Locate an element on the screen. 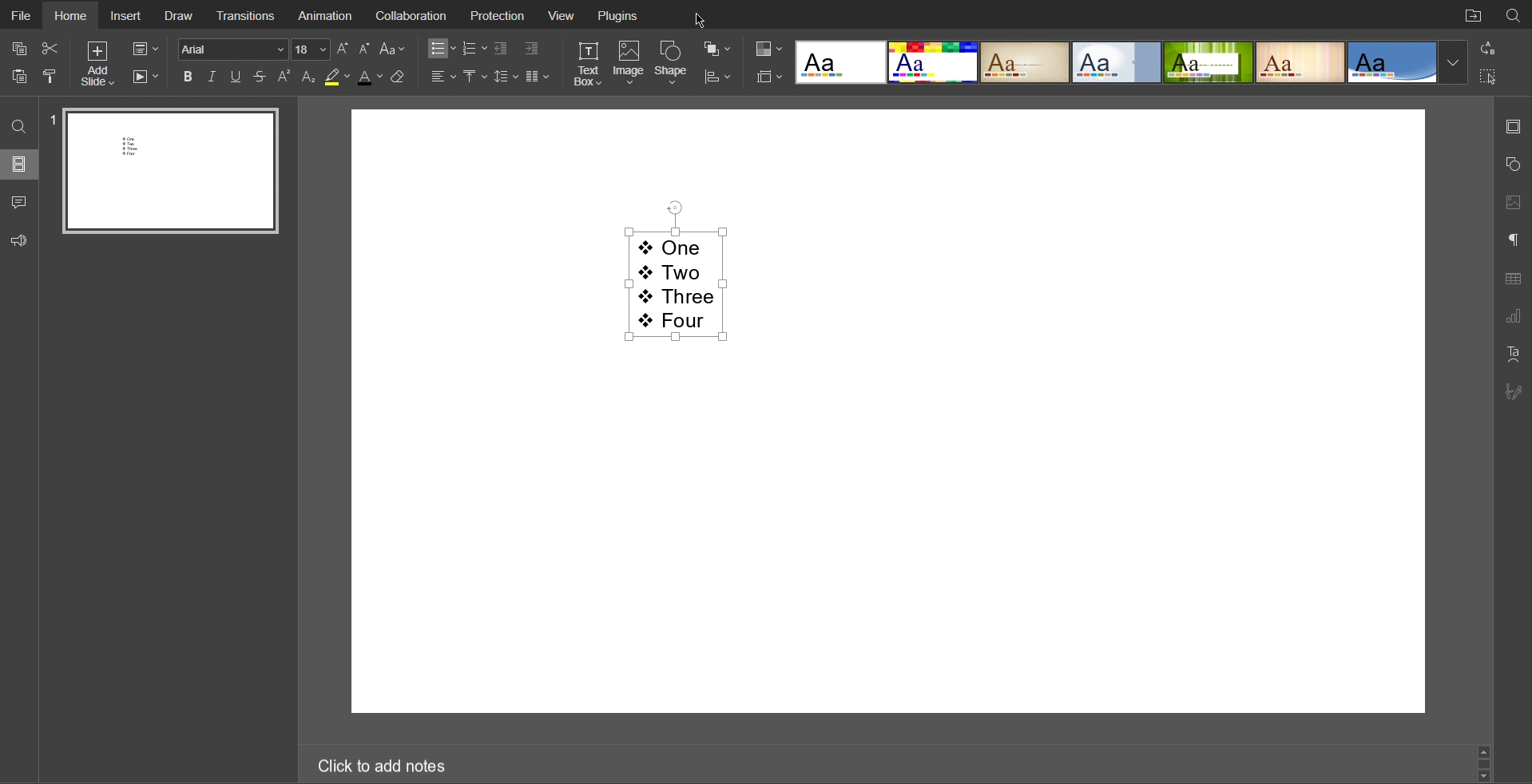  Insert is located at coordinates (127, 15).